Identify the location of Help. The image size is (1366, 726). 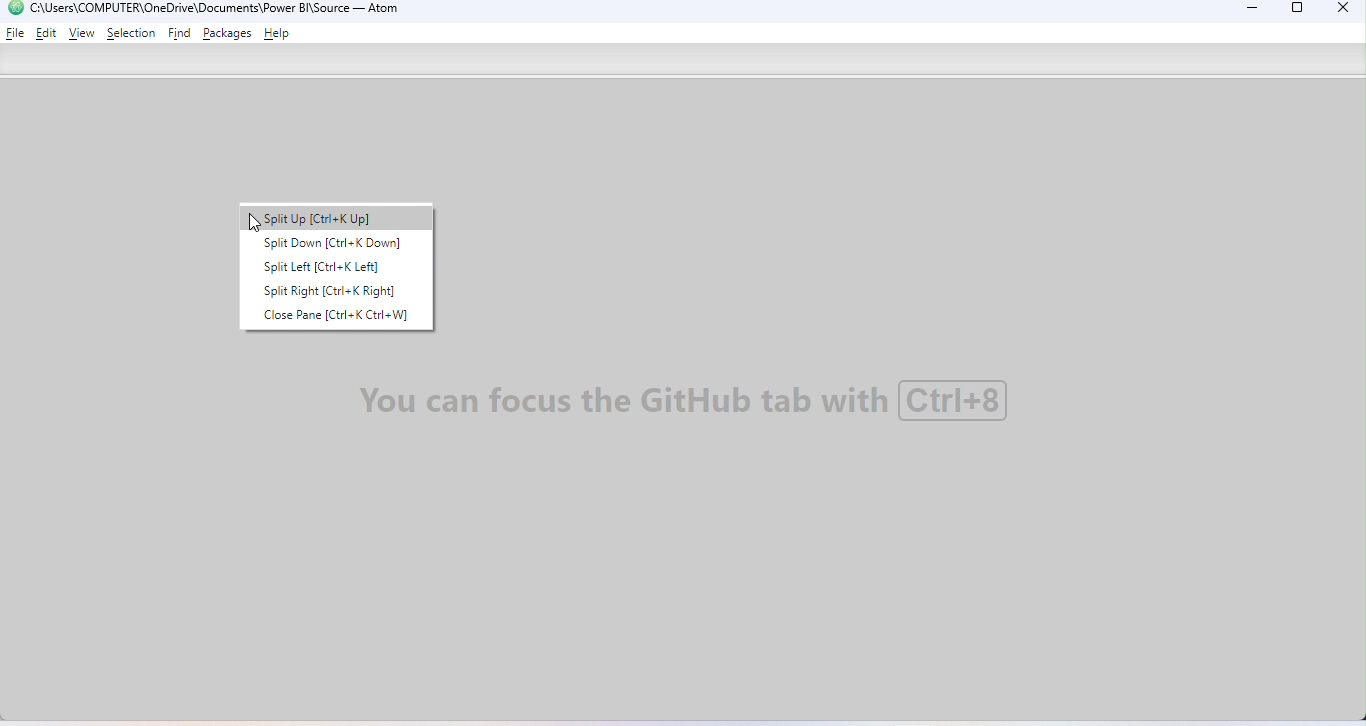
(280, 35).